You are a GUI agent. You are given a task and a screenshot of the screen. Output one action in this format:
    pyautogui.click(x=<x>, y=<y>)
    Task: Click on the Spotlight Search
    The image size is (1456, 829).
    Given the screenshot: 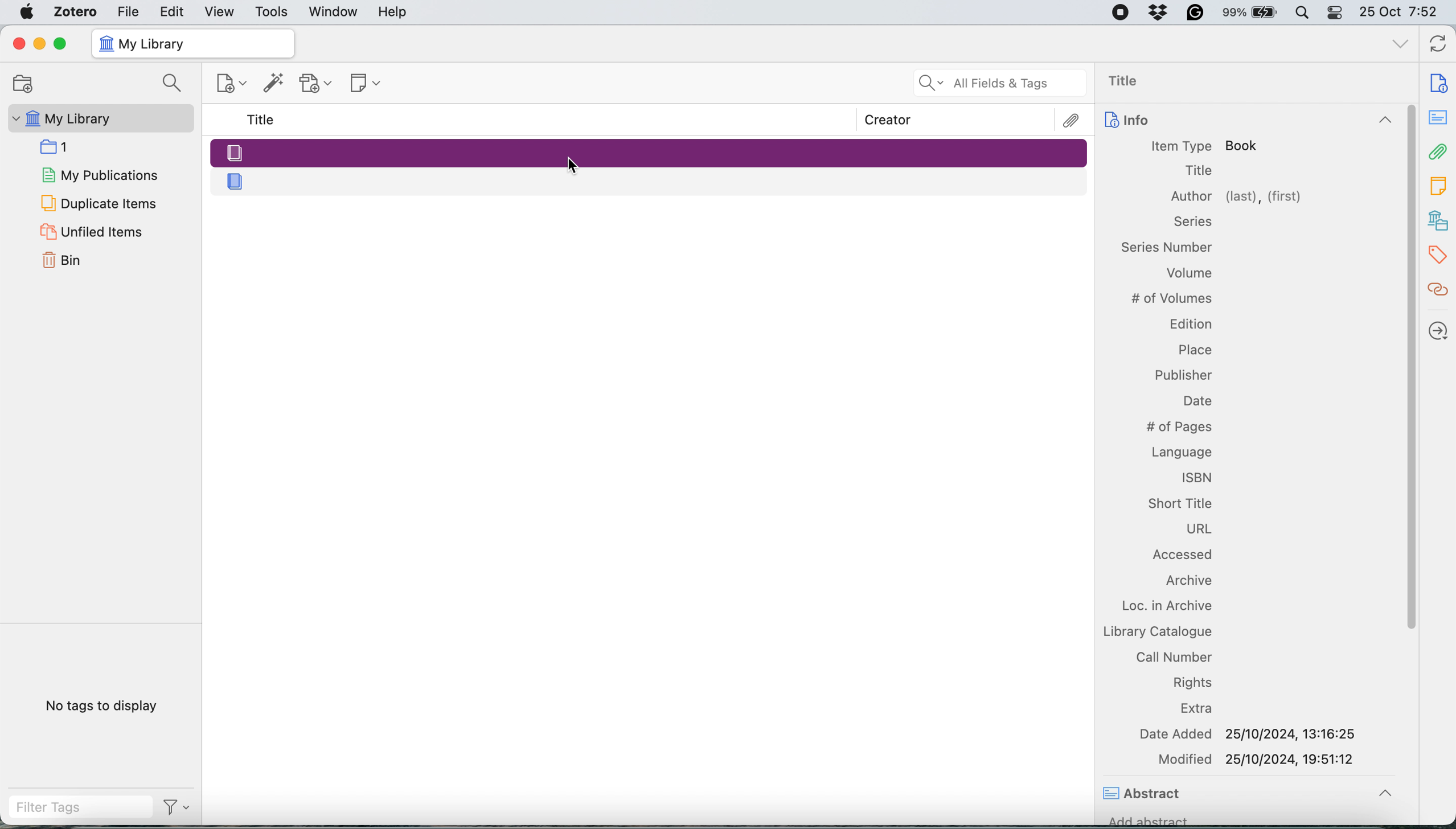 What is the action you would take?
    pyautogui.click(x=1301, y=13)
    